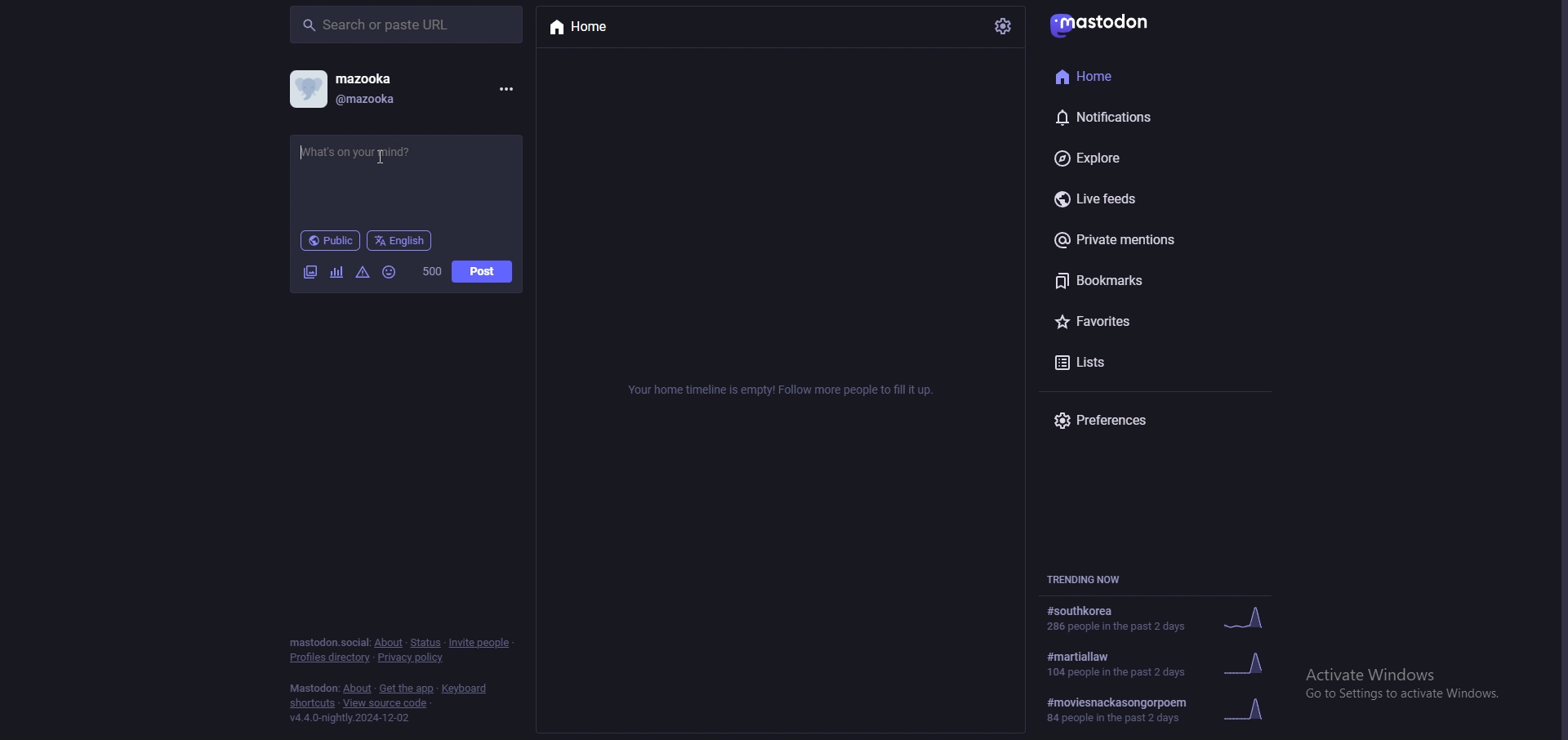  What do you see at coordinates (314, 689) in the screenshot?
I see `mastodon` at bounding box center [314, 689].